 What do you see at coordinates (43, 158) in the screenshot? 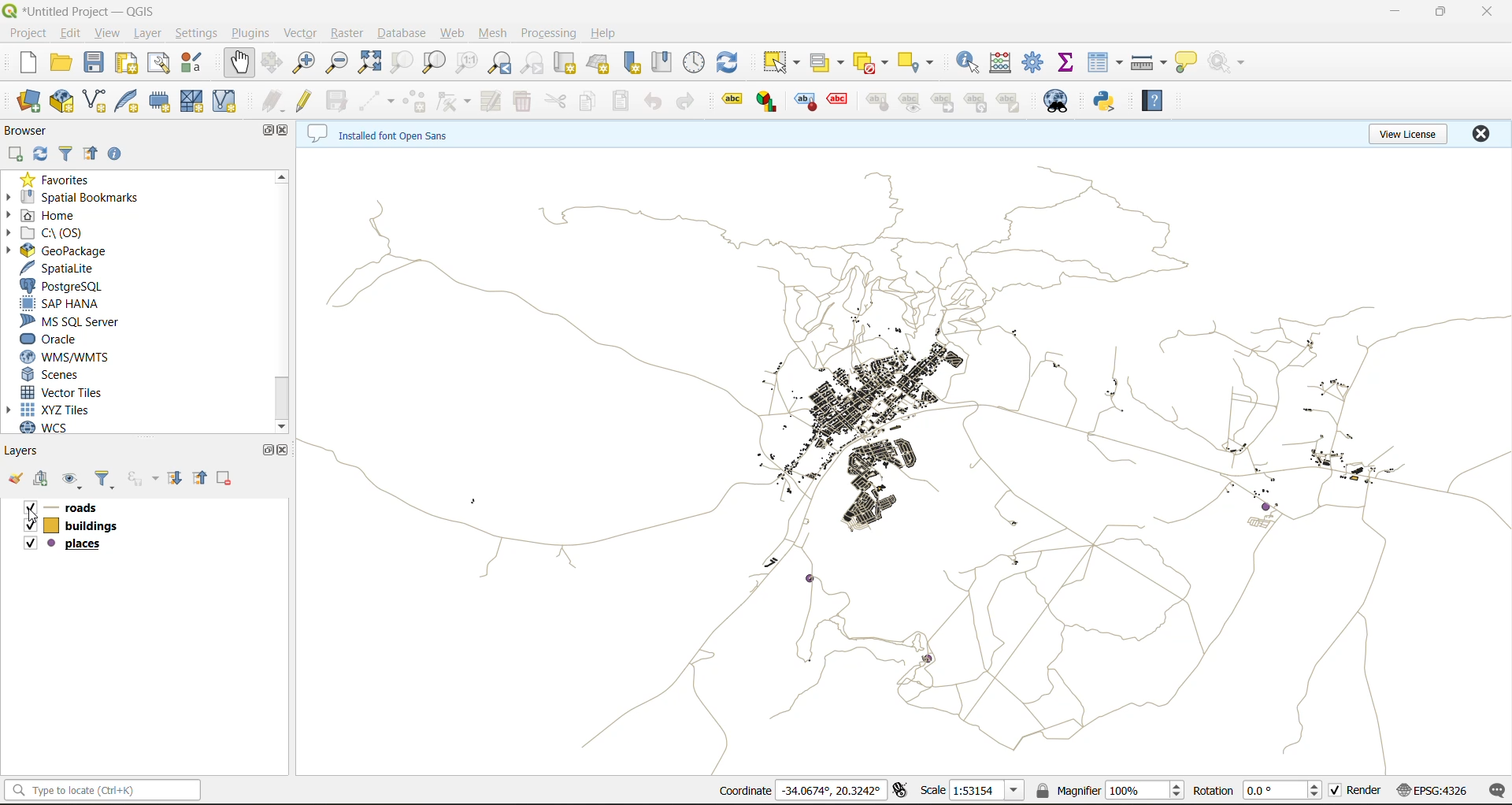
I see `refresh` at bounding box center [43, 158].